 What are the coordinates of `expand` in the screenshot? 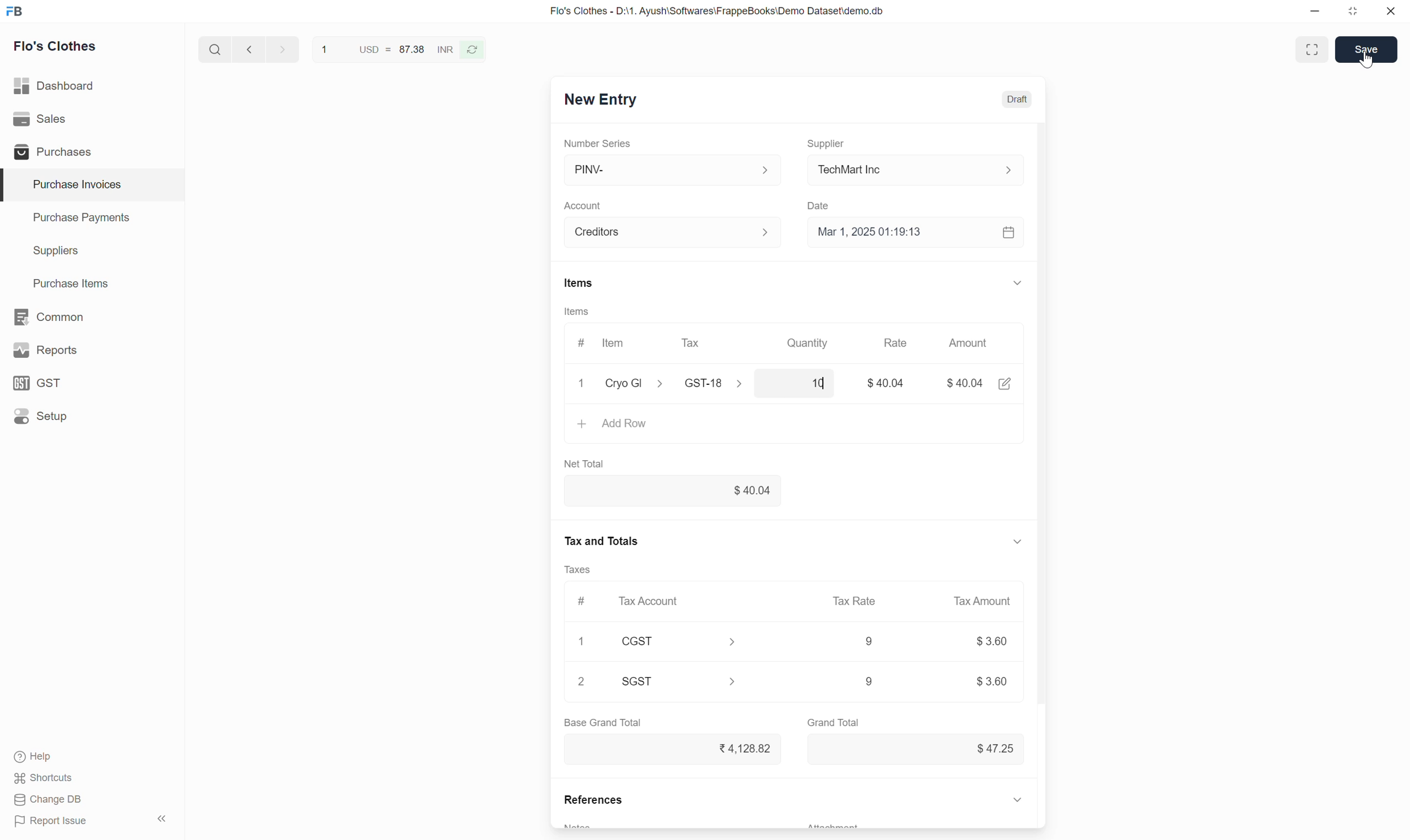 It's located at (1026, 282).